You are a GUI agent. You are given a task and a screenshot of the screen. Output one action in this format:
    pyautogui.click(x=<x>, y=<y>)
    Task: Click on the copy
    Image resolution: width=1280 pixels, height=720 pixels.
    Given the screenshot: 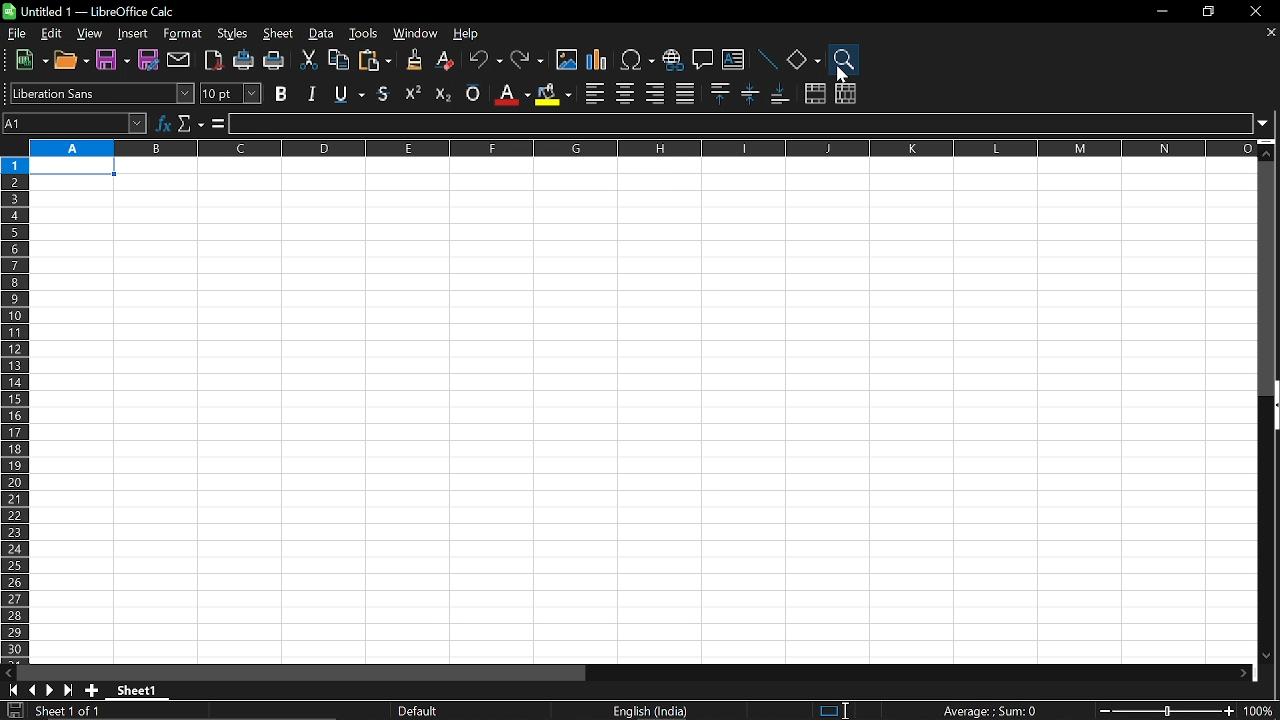 What is the action you would take?
    pyautogui.click(x=337, y=63)
    